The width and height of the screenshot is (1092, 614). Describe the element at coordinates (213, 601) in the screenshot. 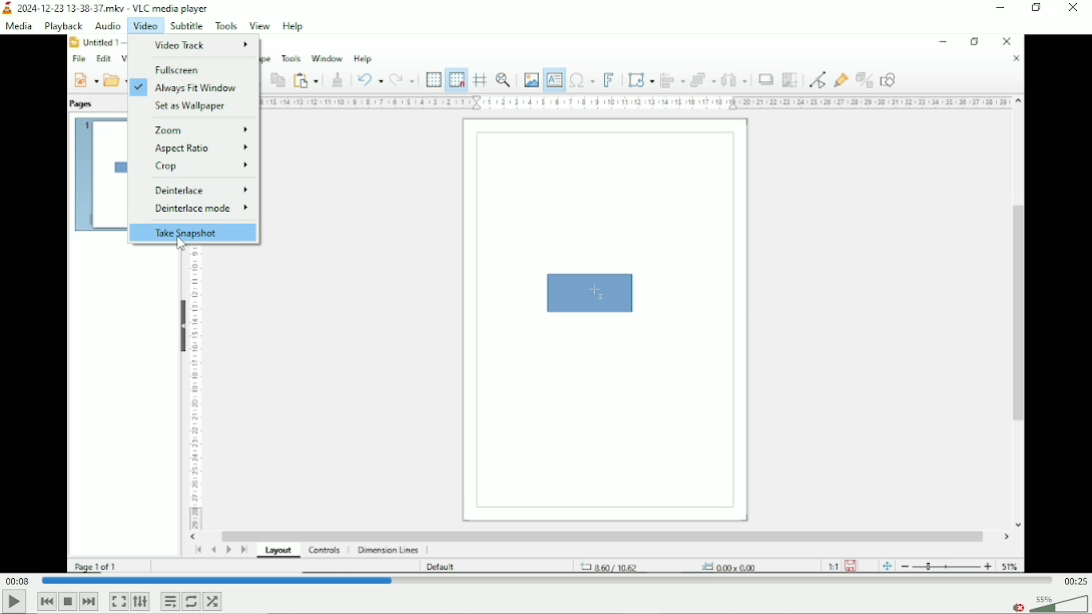

I see `Random` at that location.